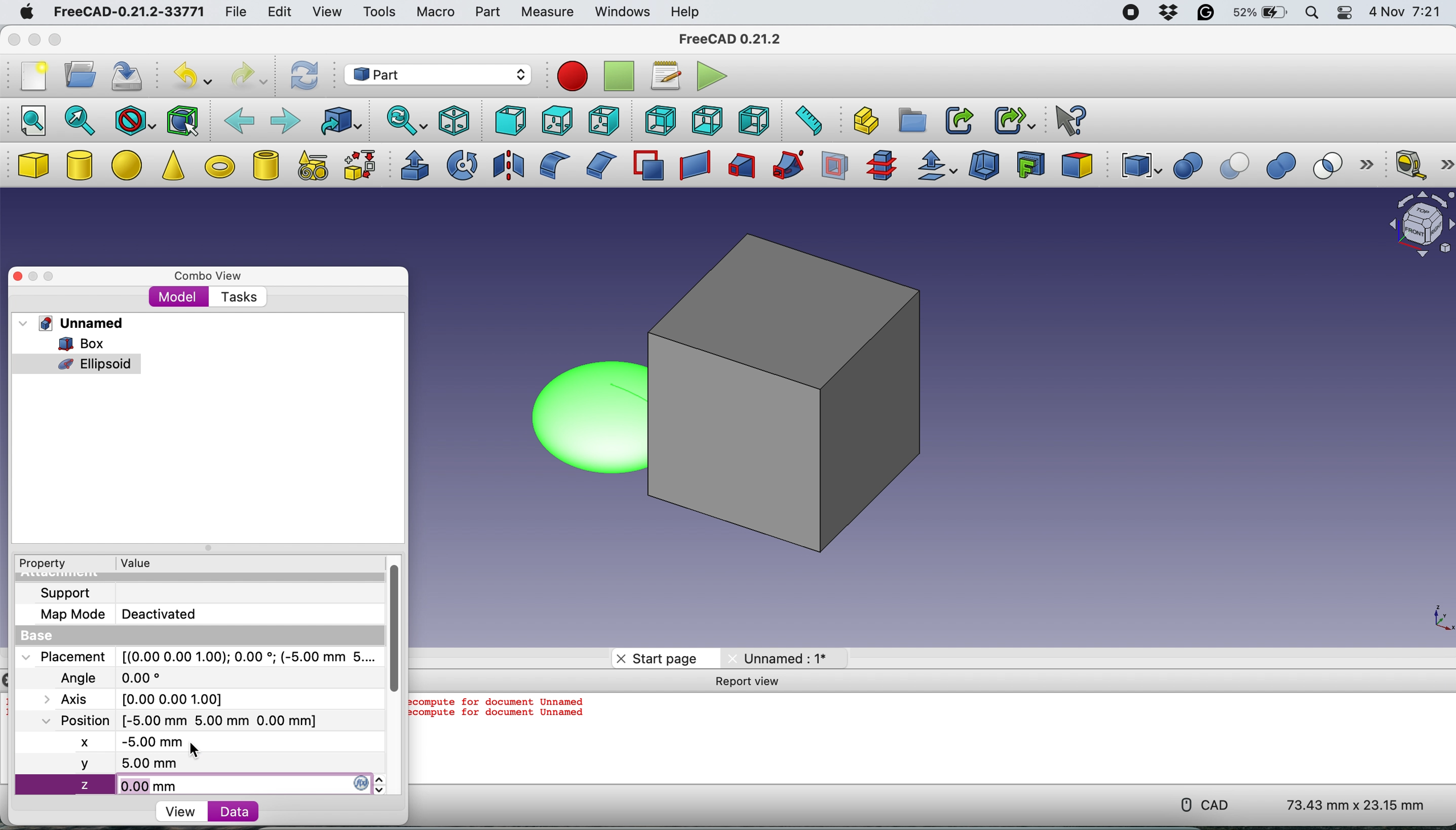  What do you see at coordinates (798, 398) in the screenshot?
I see `box` at bounding box center [798, 398].